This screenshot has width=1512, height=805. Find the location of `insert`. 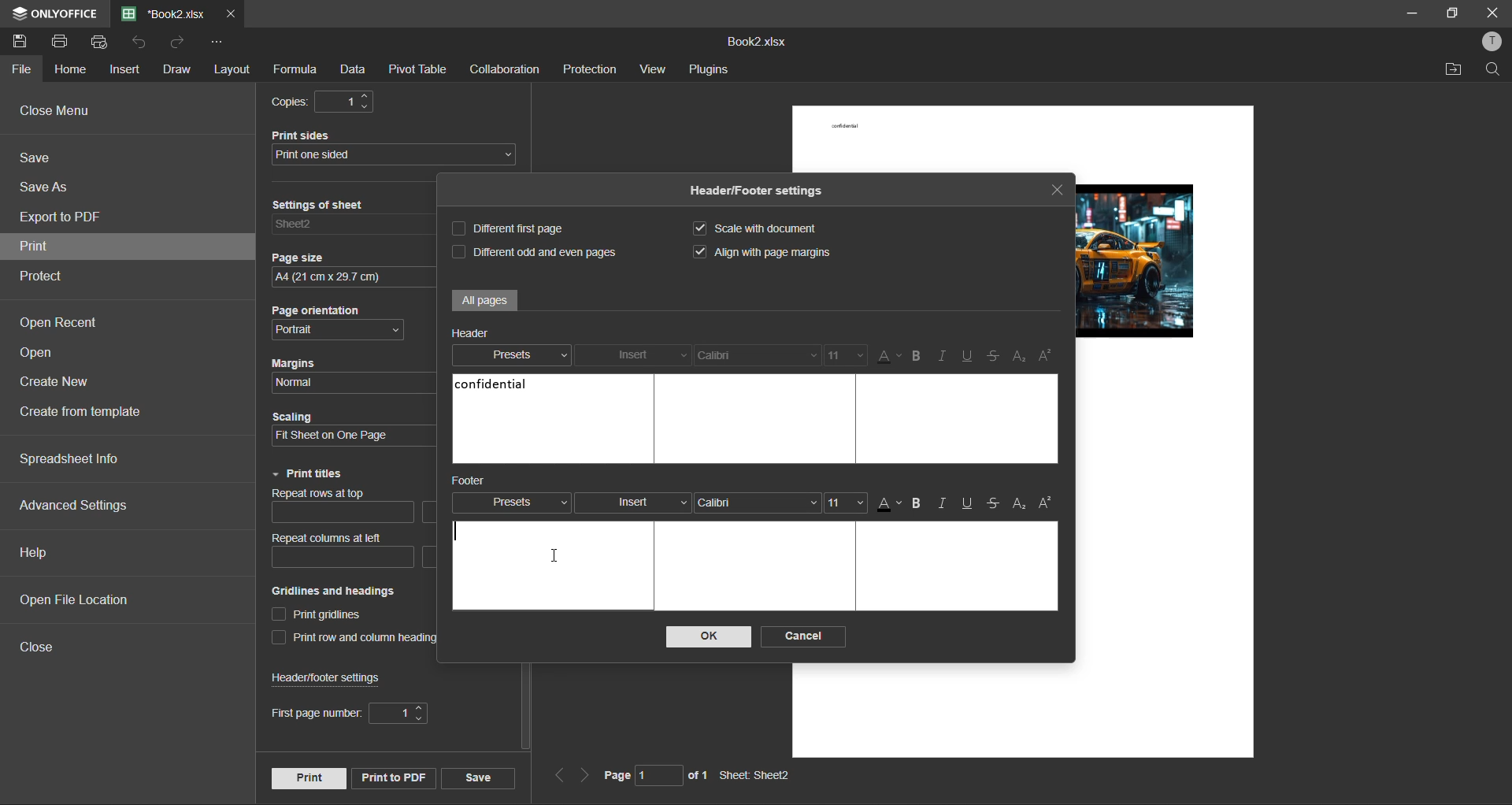

insert is located at coordinates (633, 503).